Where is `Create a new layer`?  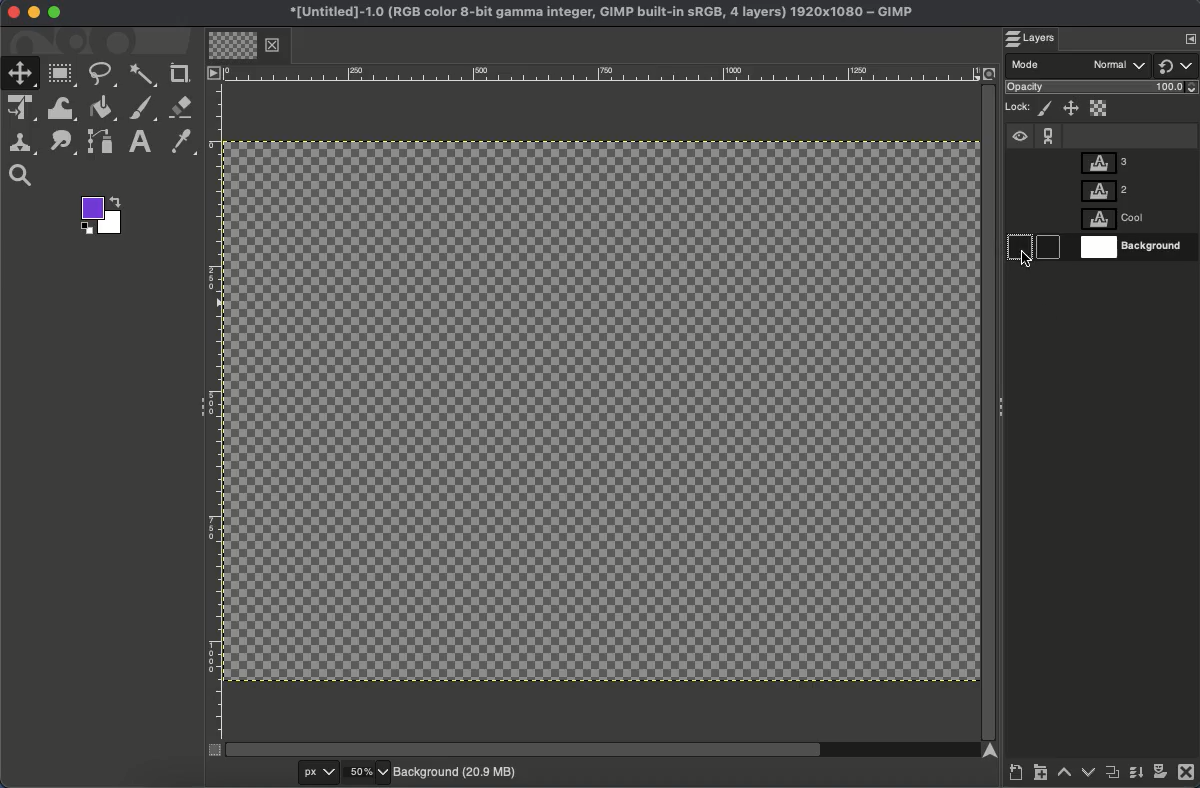 Create a new layer is located at coordinates (1015, 775).